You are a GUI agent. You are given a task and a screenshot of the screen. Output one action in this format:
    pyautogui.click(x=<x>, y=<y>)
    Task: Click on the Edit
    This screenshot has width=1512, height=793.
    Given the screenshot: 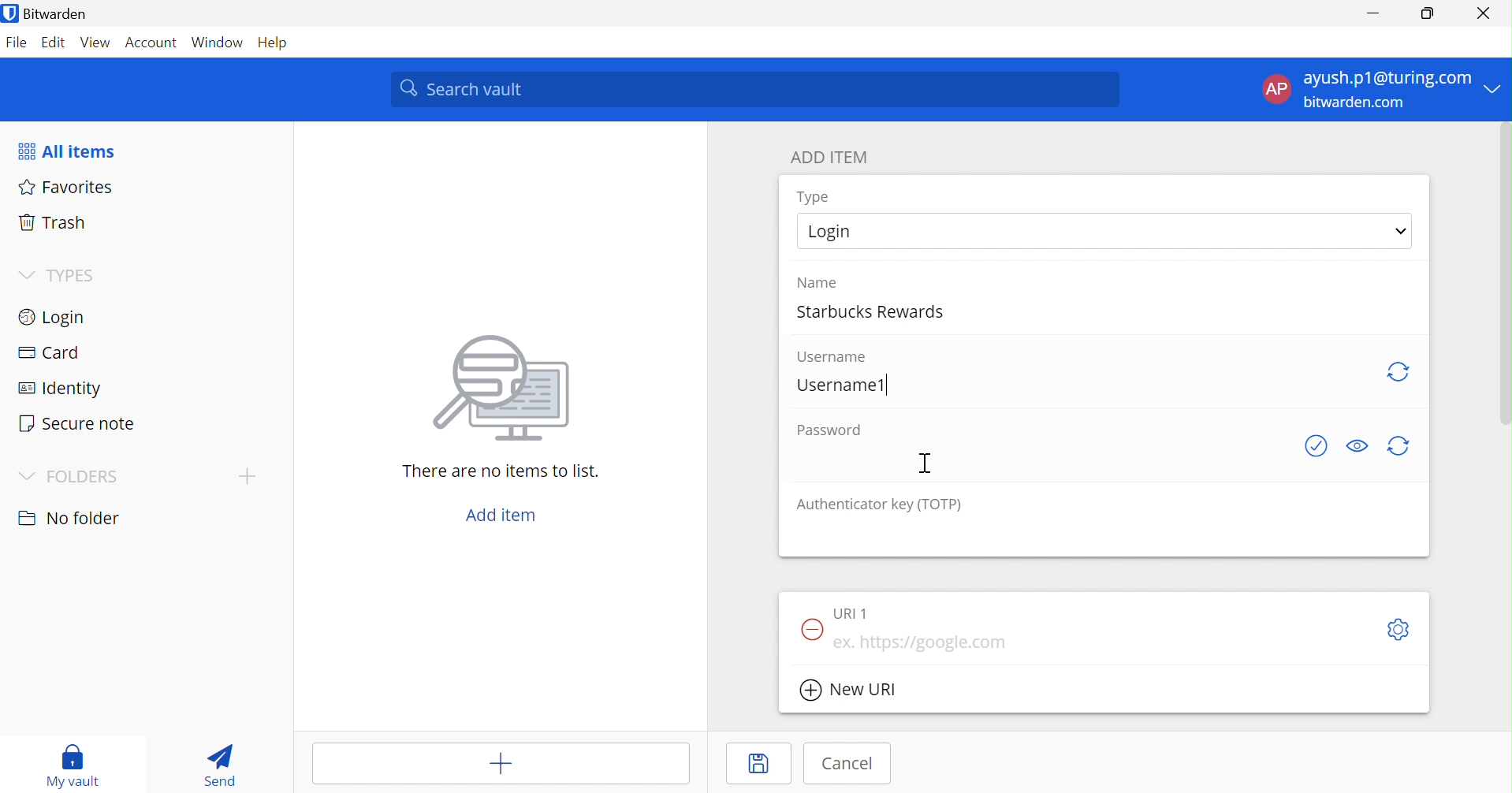 What is the action you would take?
    pyautogui.click(x=55, y=44)
    